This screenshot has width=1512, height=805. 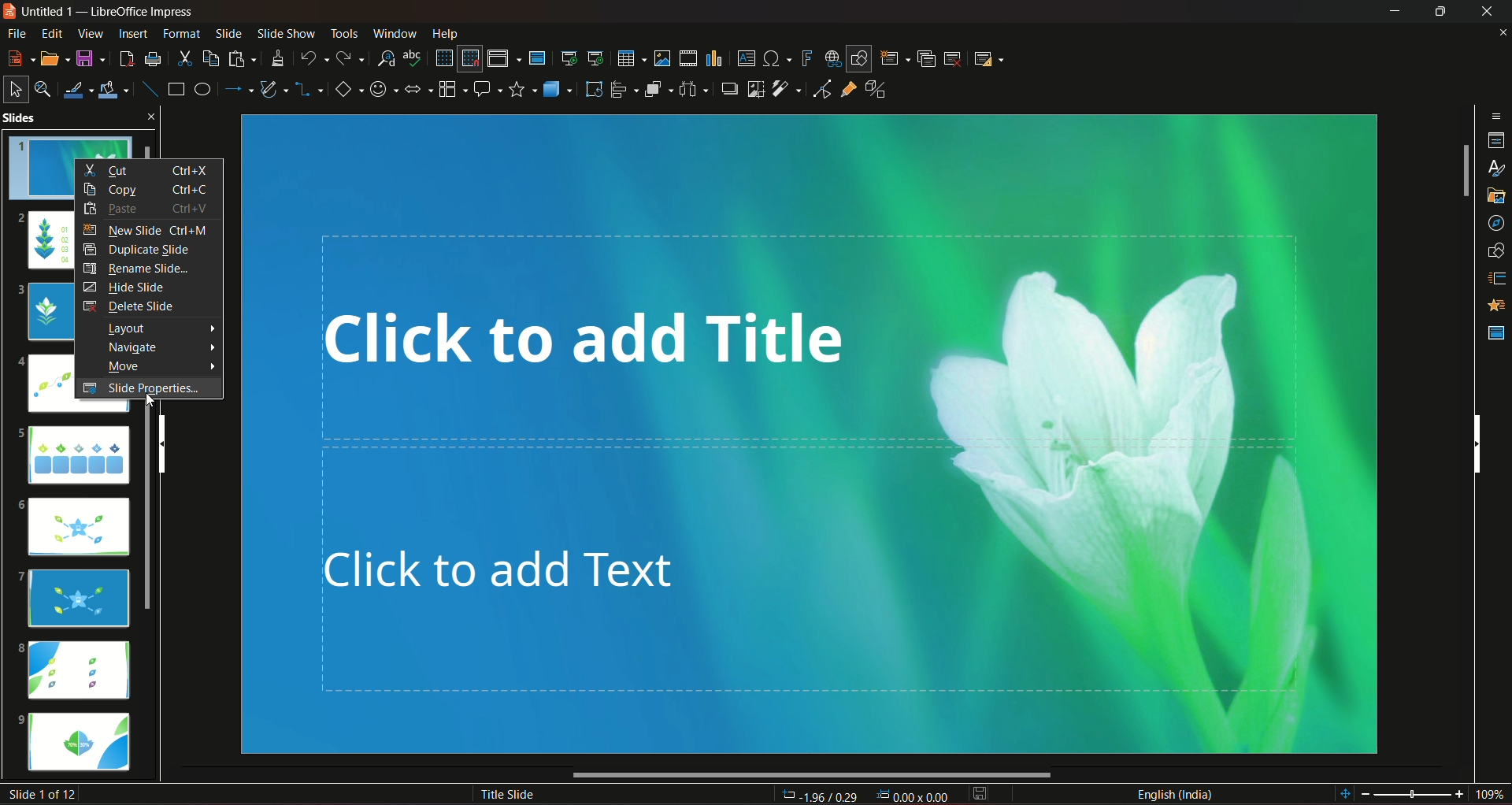 I want to click on click to add text, so click(x=841, y=591).